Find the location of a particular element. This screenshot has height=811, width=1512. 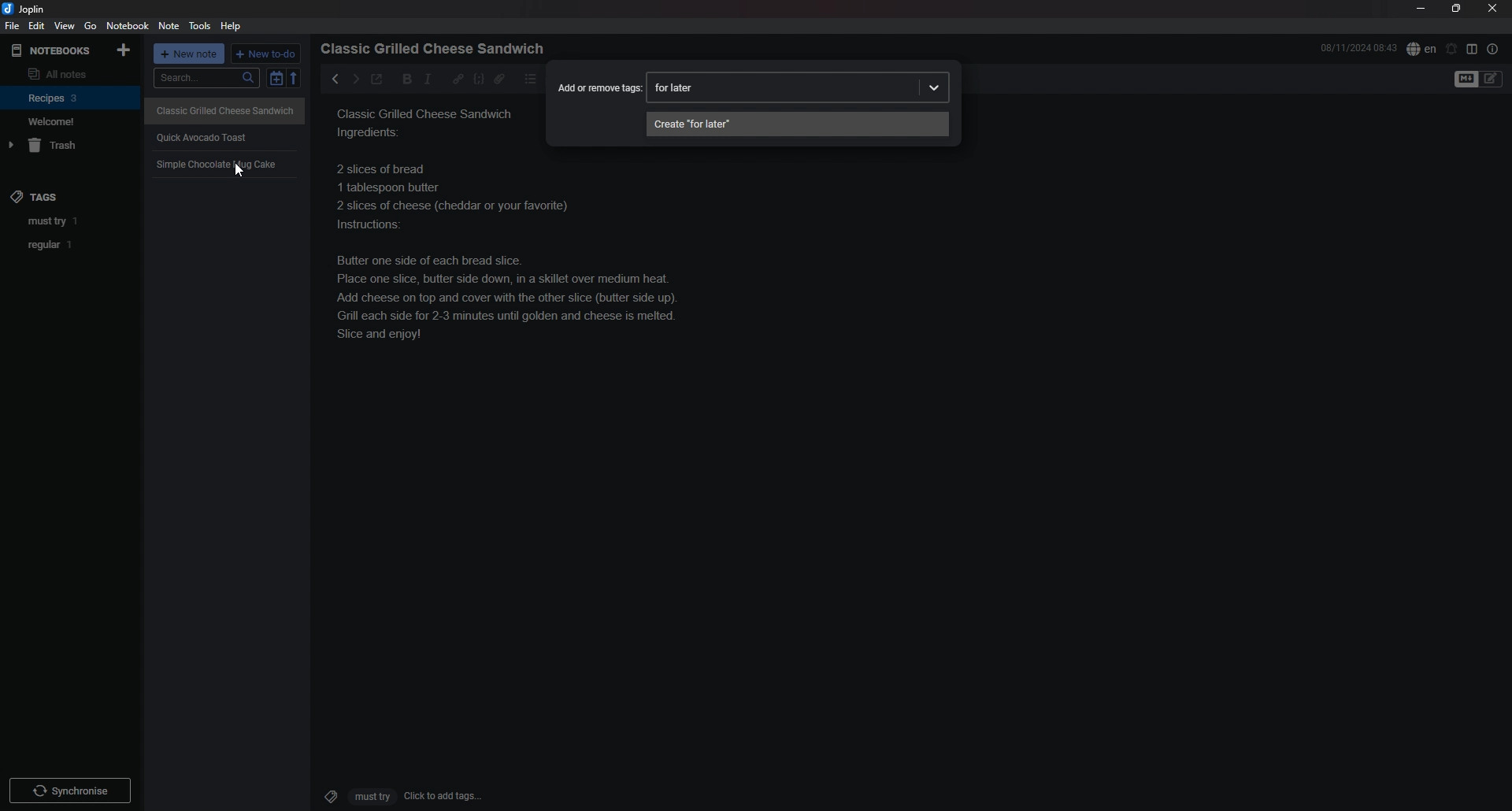

code is located at coordinates (478, 79).